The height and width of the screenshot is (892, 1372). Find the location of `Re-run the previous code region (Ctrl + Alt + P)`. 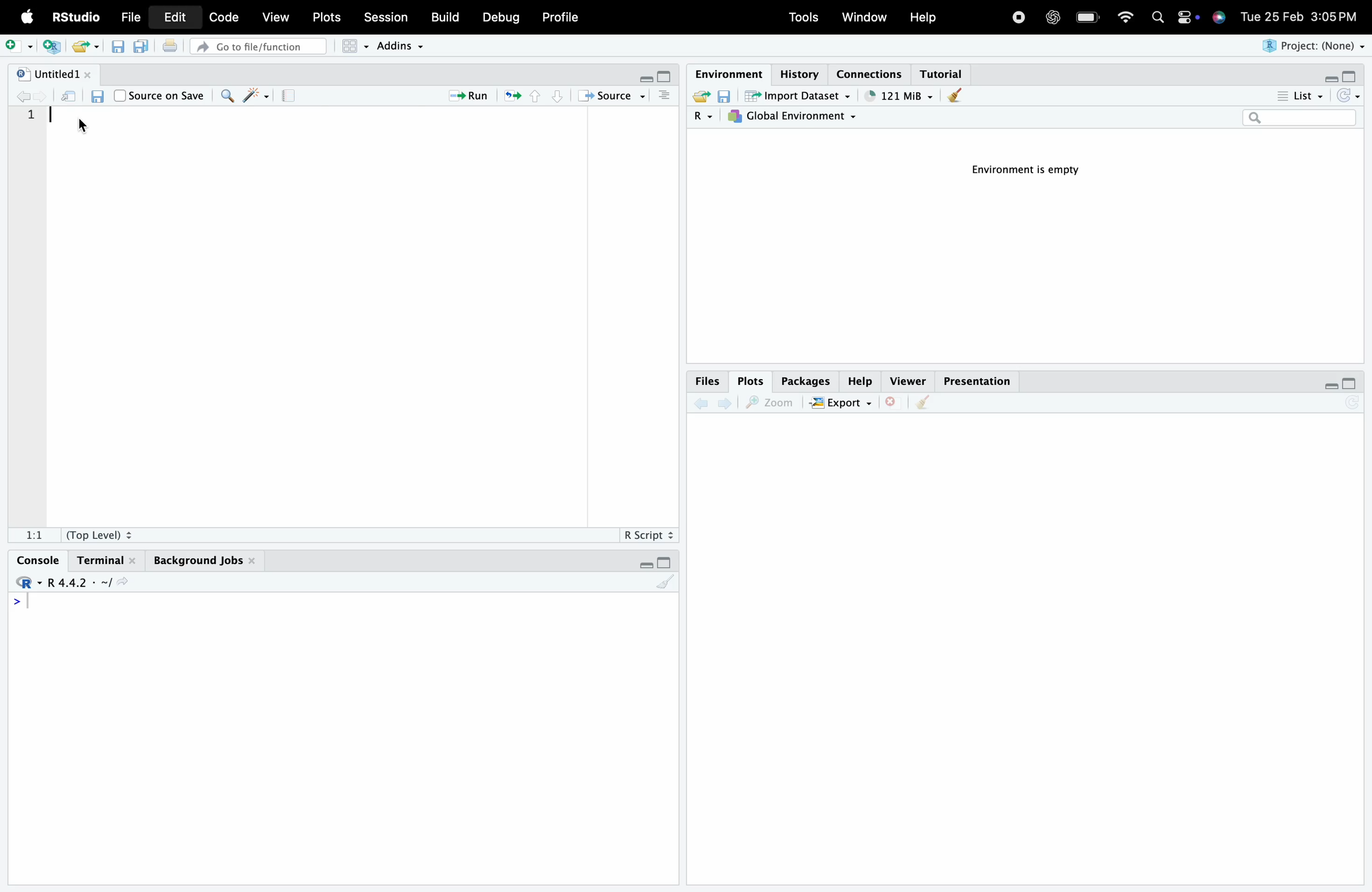

Re-run the previous code region (Ctrl + Alt + P) is located at coordinates (510, 96).